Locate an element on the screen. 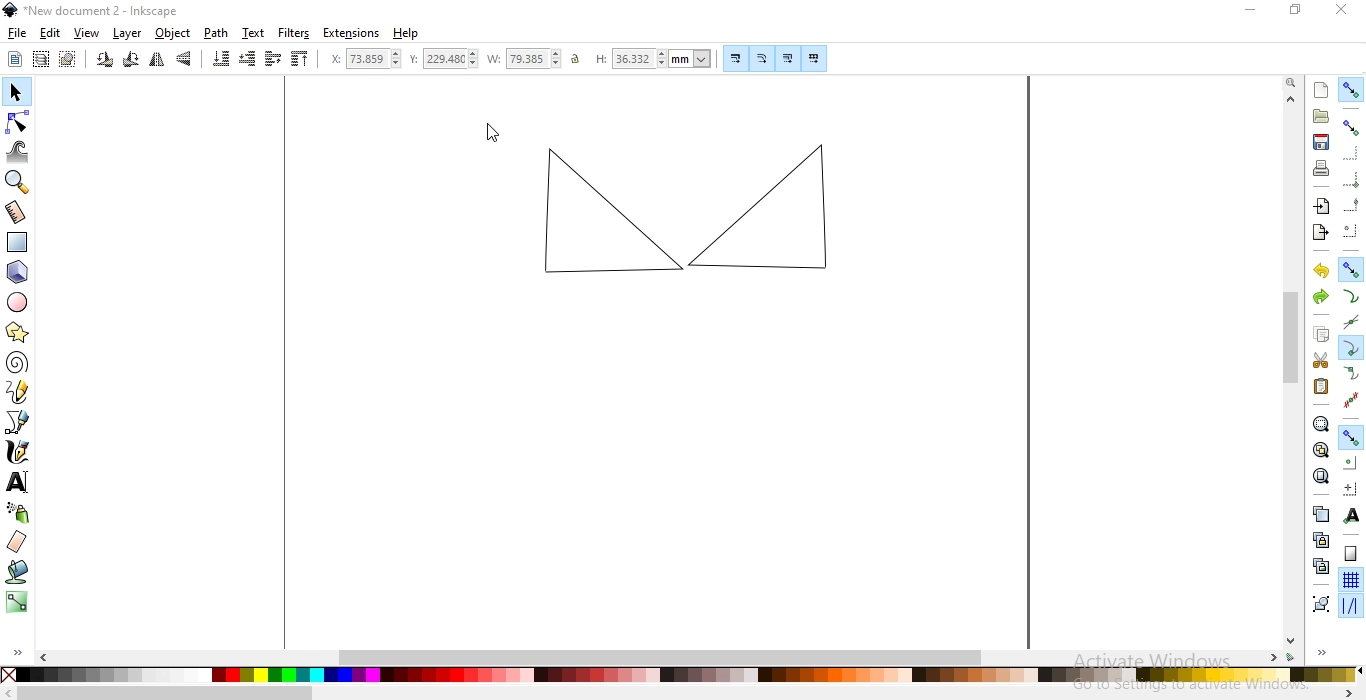 The height and width of the screenshot is (700, 1366). import a bitmap or SVG image is located at coordinates (1324, 208).